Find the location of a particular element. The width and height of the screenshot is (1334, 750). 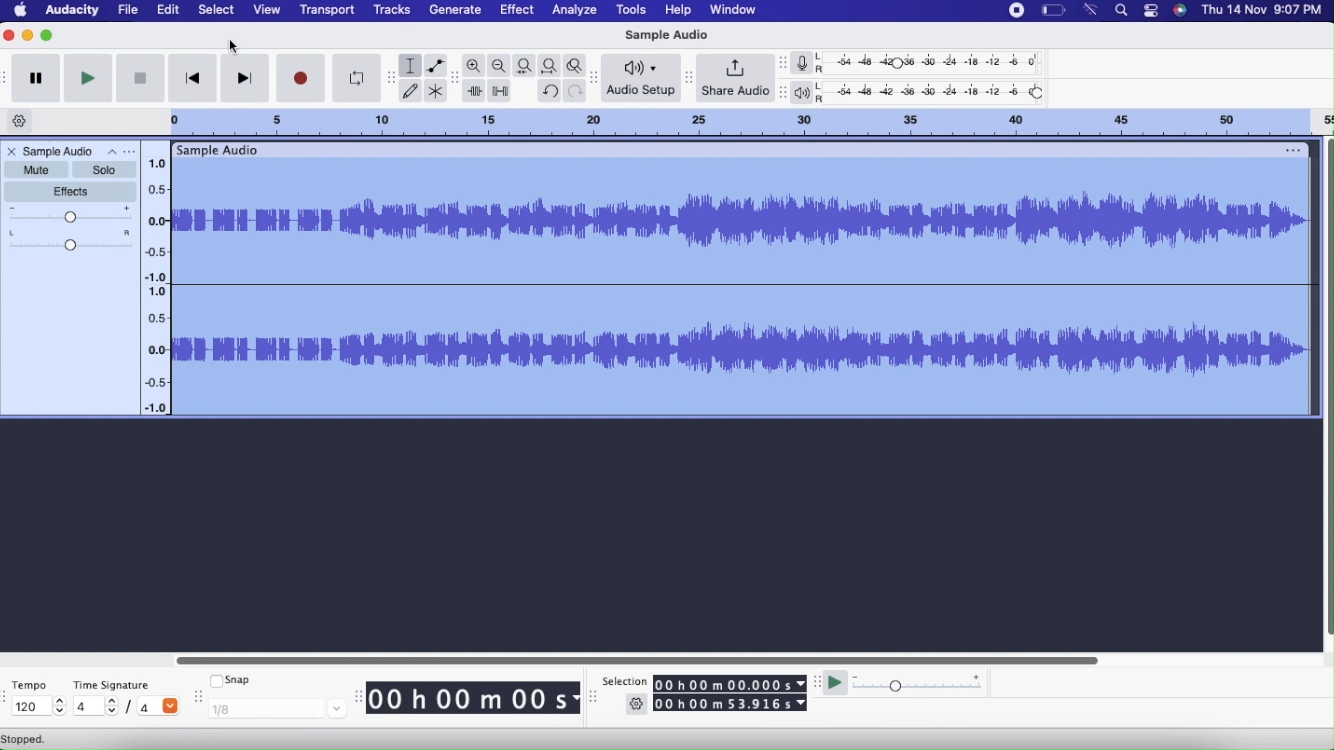

00 h 00 m 00.000 s is located at coordinates (731, 684).